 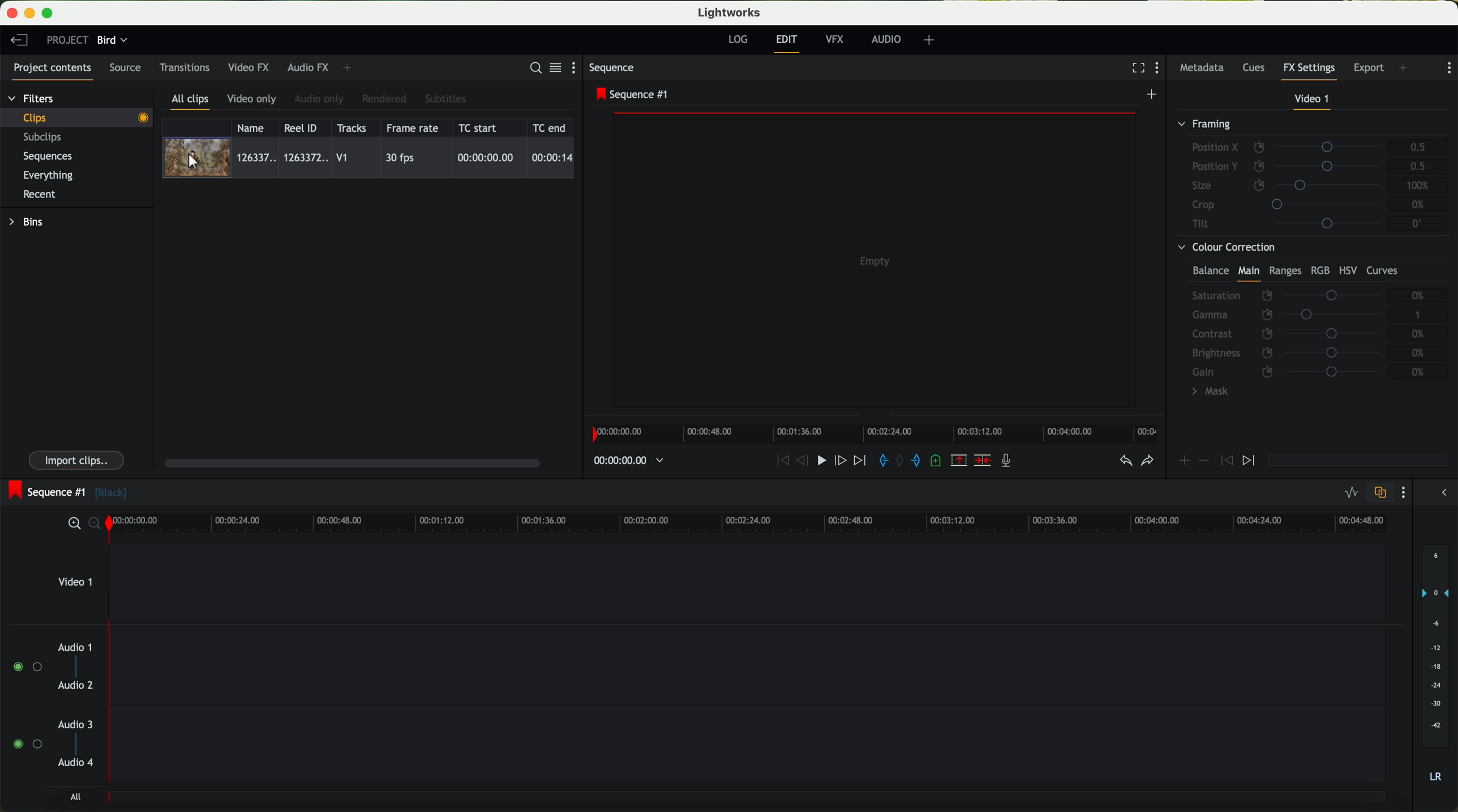 I want to click on import clips, so click(x=78, y=459).